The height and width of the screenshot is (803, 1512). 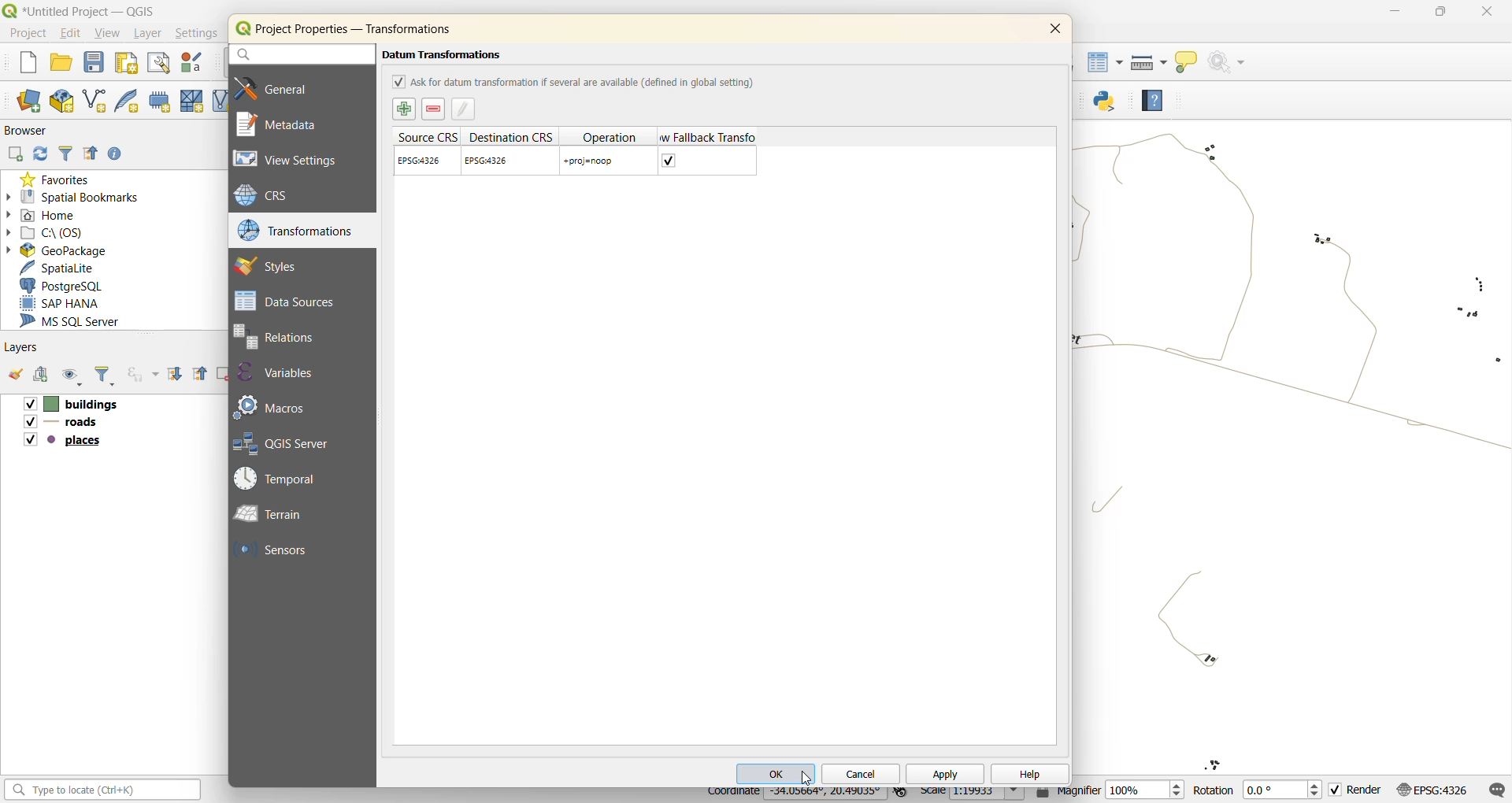 What do you see at coordinates (94, 11) in the screenshot?
I see `*Untitled Project — QGIS` at bounding box center [94, 11].